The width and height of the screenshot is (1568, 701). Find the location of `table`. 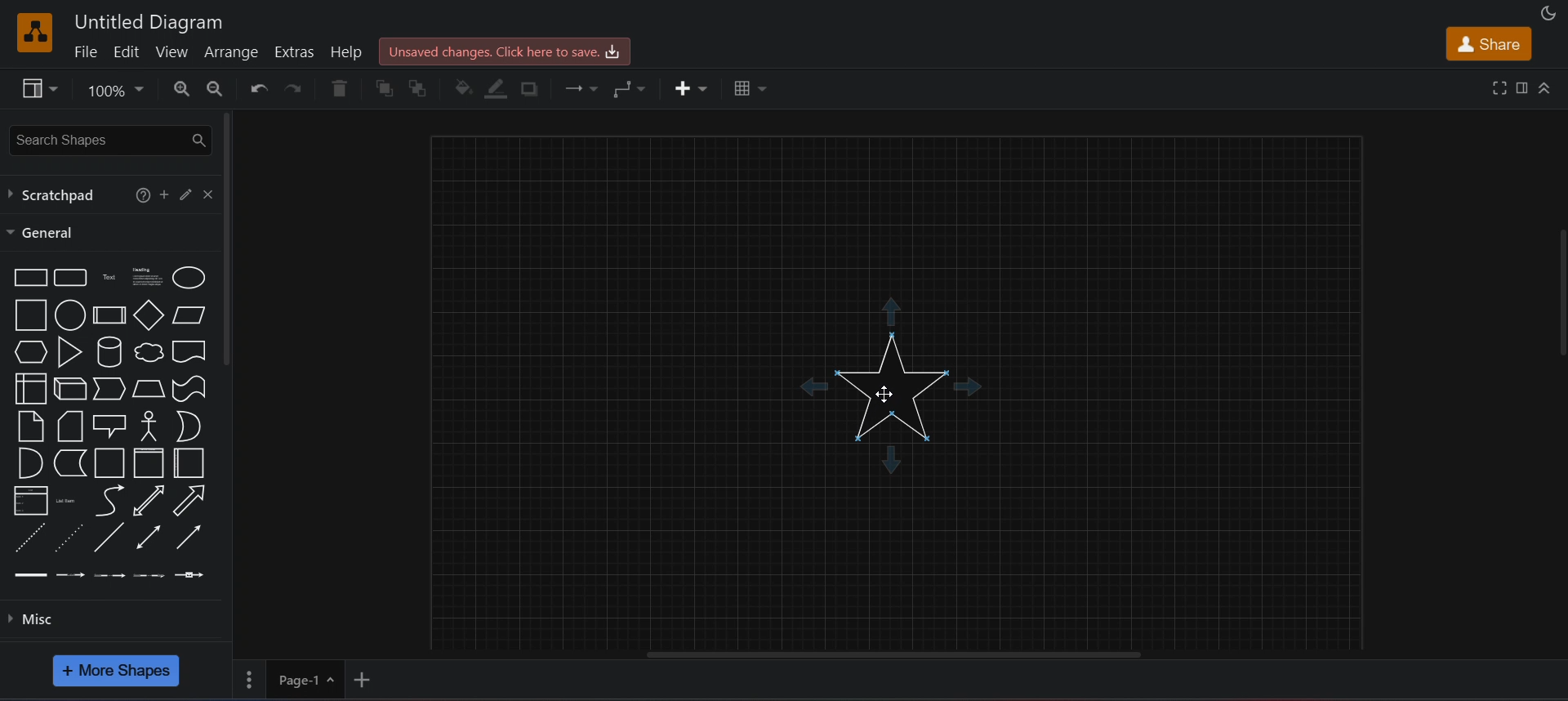

table is located at coordinates (747, 90).